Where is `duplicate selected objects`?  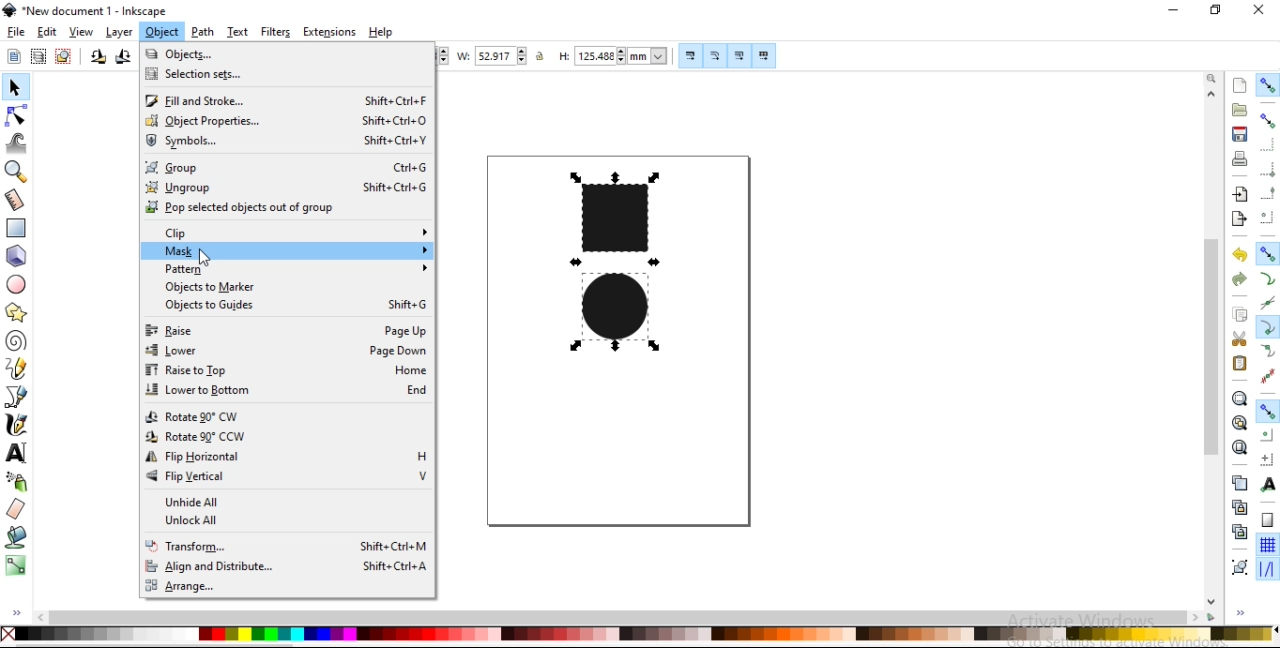
duplicate selected objects is located at coordinates (1241, 485).